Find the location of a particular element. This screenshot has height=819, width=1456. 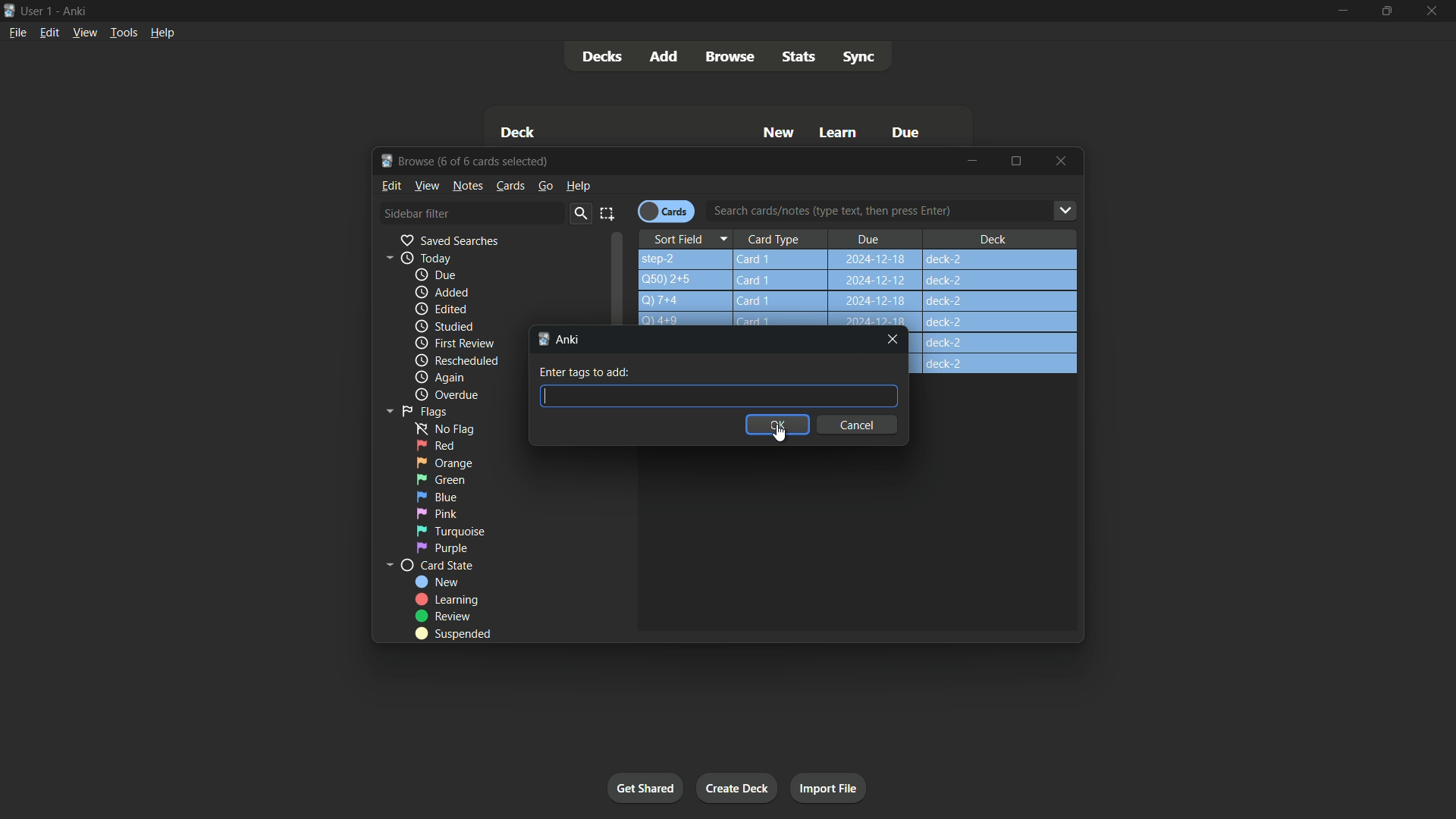

Edit is located at coordinates (392, 185).